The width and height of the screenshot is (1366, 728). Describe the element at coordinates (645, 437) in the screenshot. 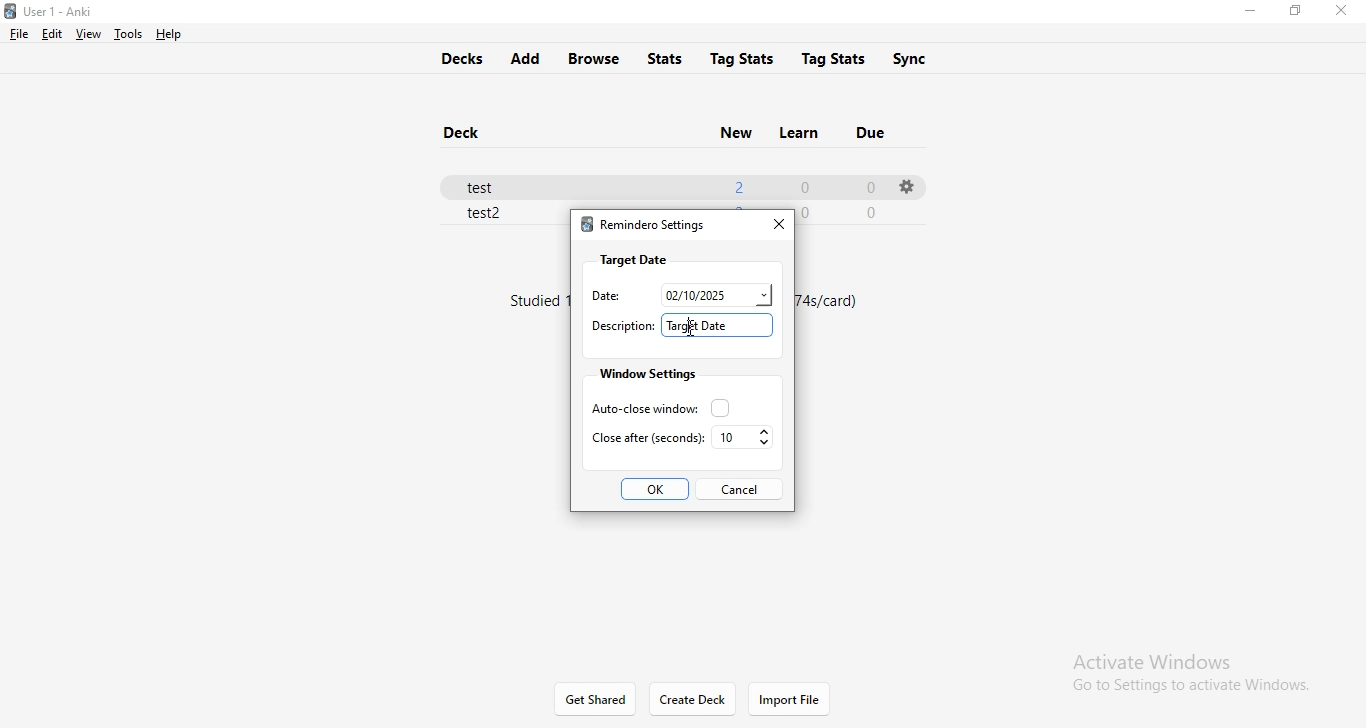

I see `close after seconds` at that location.